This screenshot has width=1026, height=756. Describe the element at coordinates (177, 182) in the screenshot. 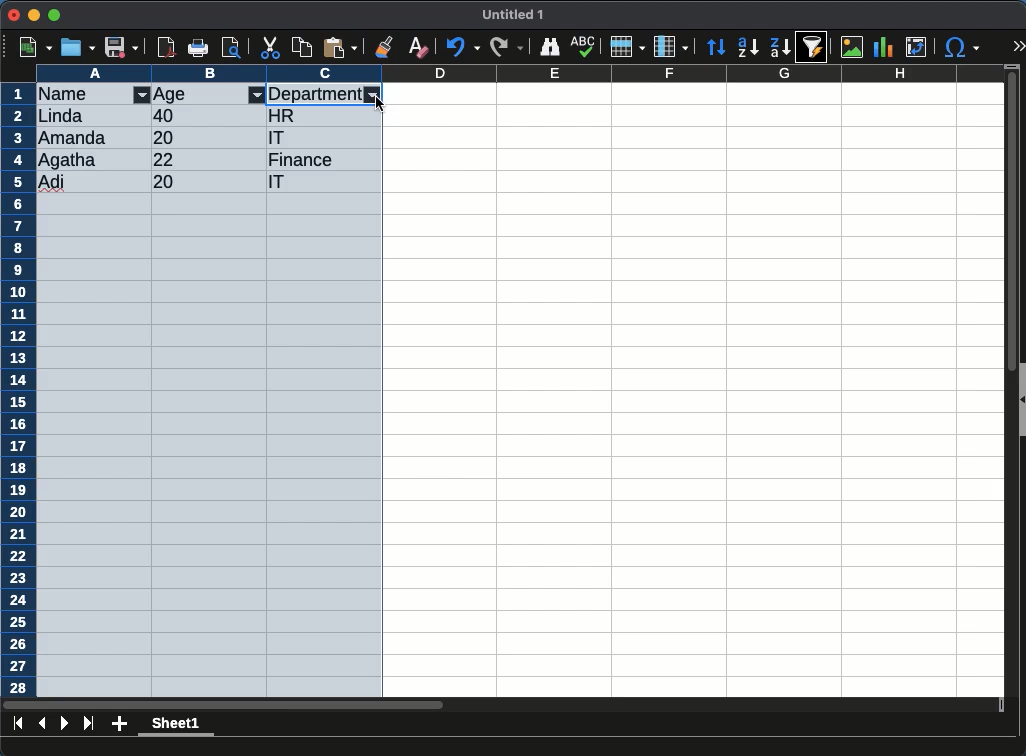

I see `20` at that location.